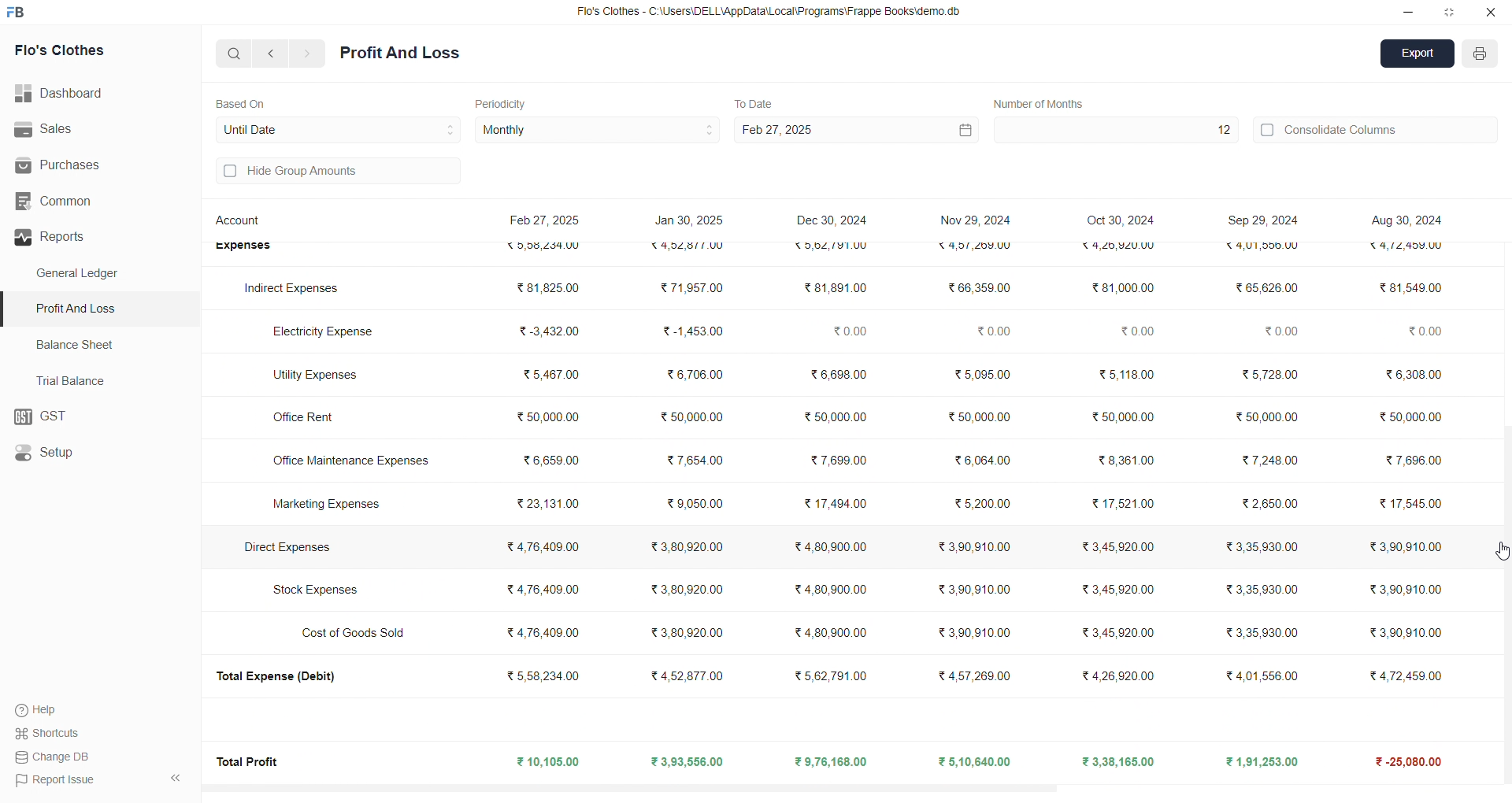 The image size is (1512, 803). What do you see at coordinates (551, 763) in the screenshot?
I see `₹10,105.00` at bounding box center [551, 763].